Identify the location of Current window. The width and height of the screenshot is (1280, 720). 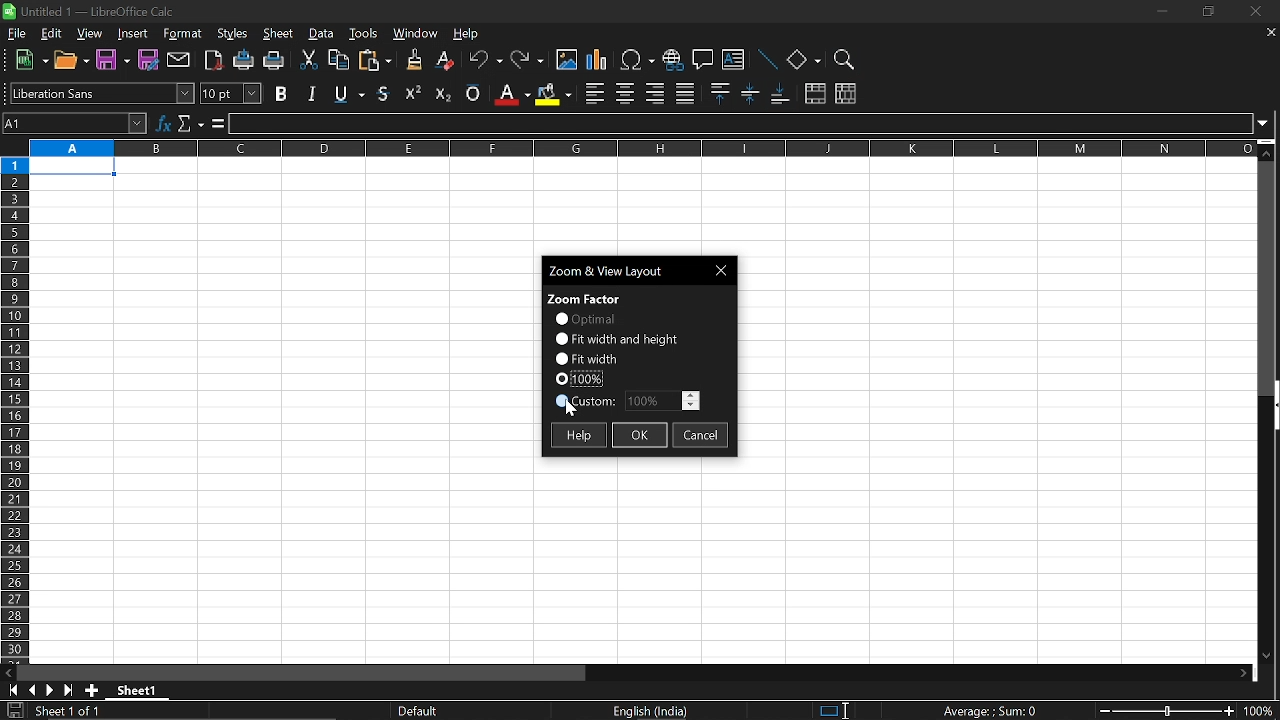
(97, 10).